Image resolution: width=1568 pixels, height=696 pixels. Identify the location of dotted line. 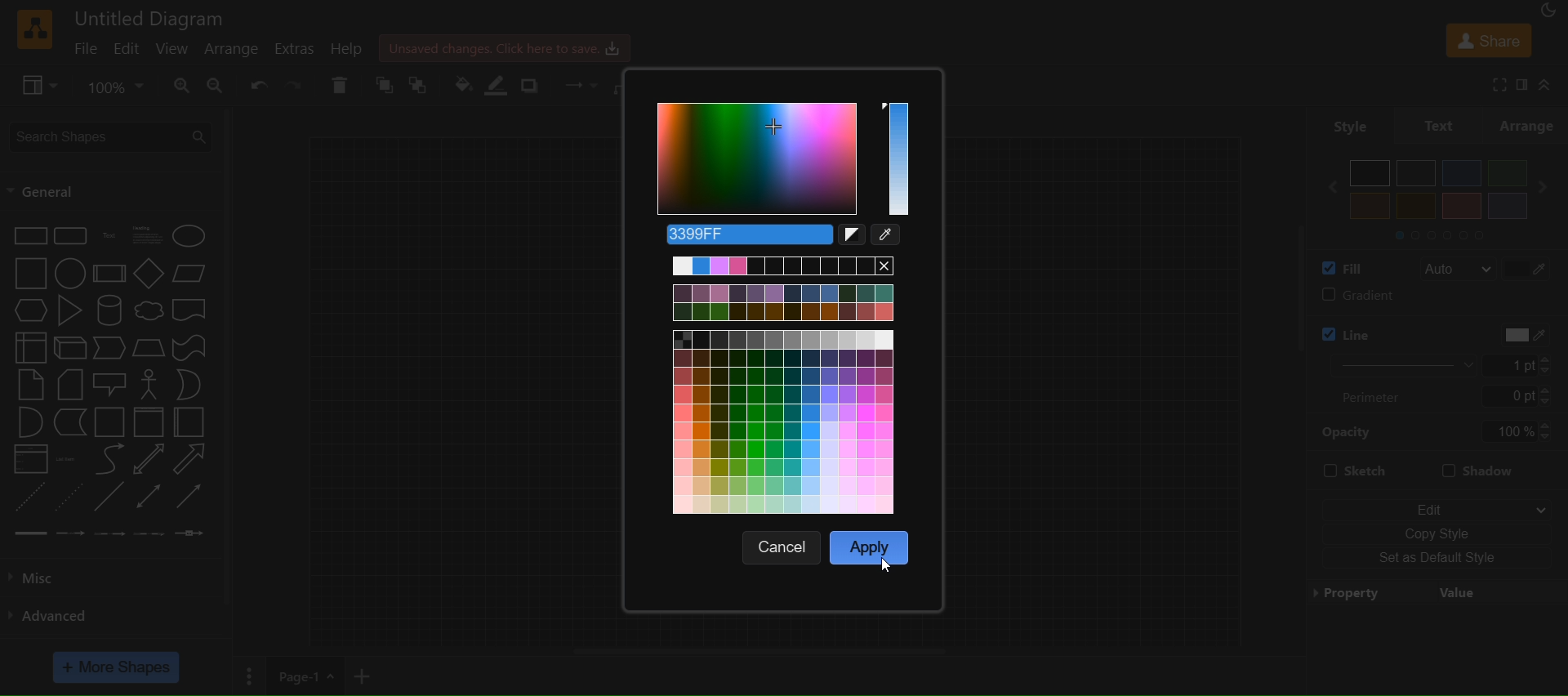
(69, 496).